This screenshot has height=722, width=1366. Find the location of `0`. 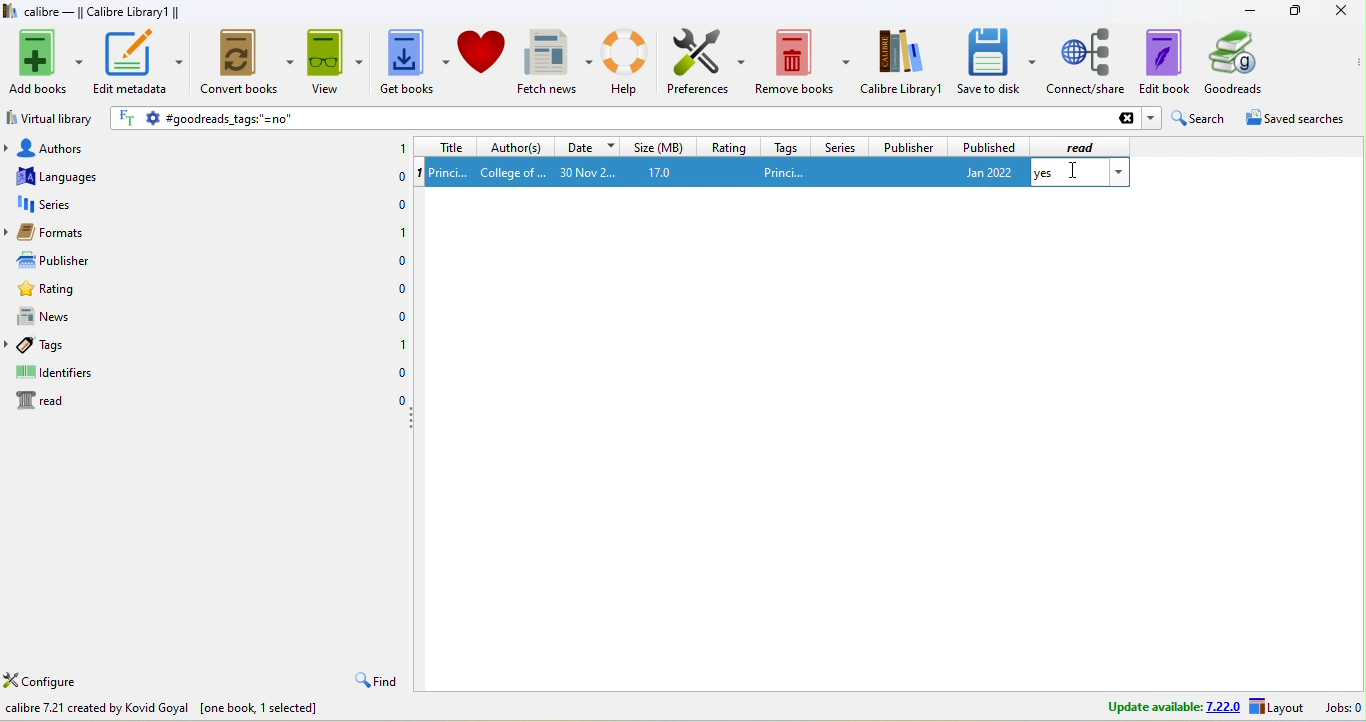

0 is located at coordinates (400, 289).